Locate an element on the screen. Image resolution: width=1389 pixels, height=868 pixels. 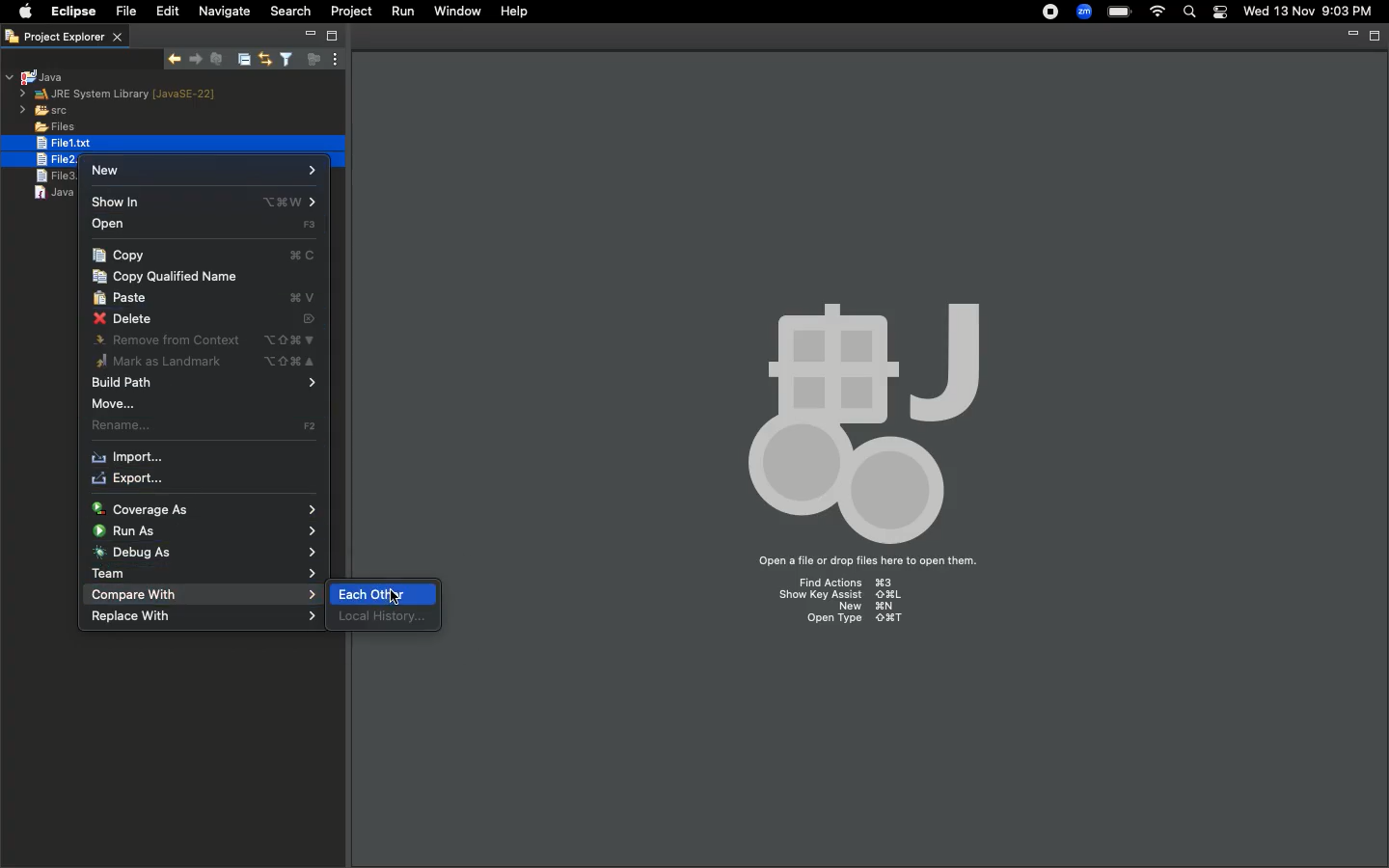
Date/time is located at coordinates (1310, 12).